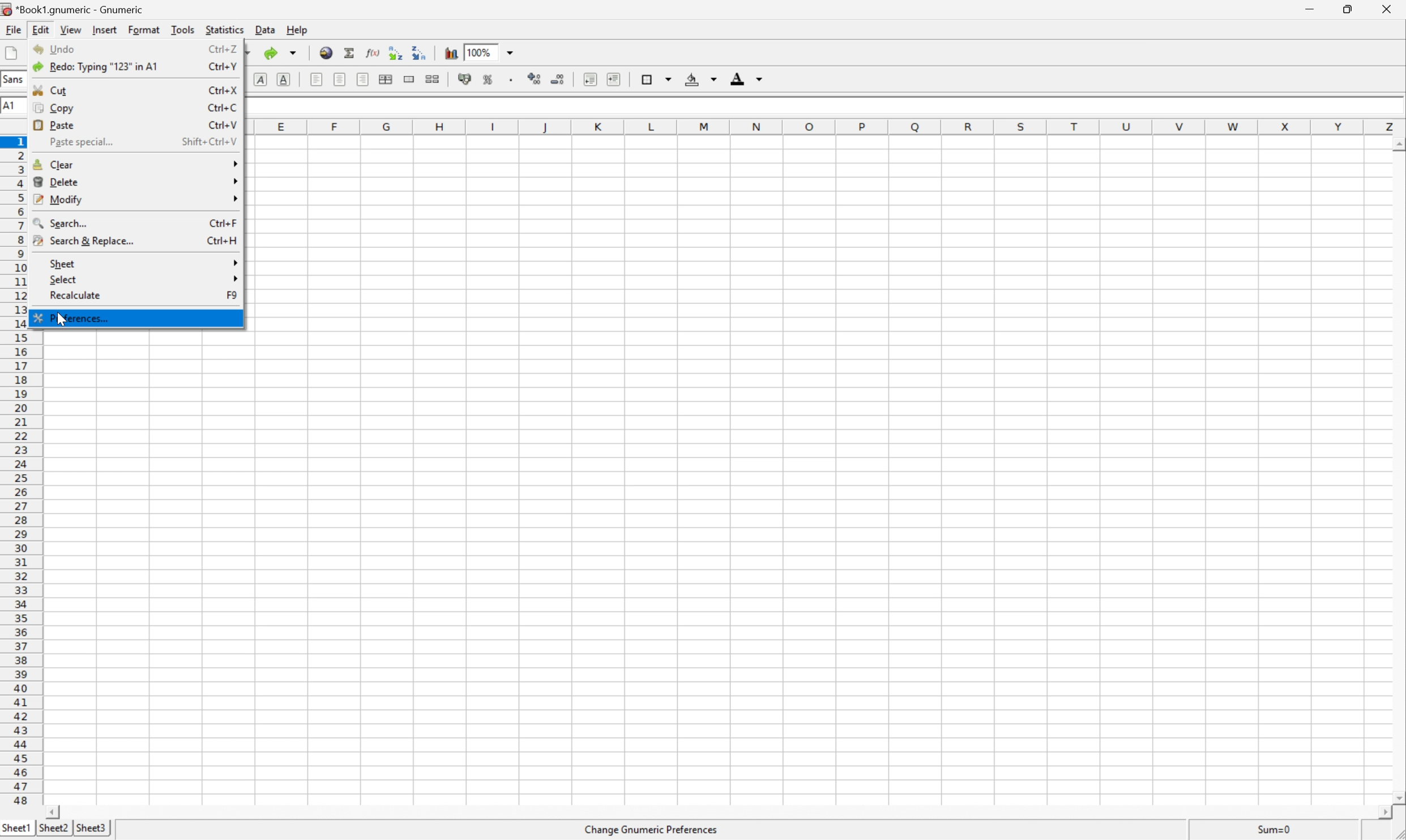 The width and height of the screenshot is (1406, 840). Describe the element at coordinates (265, 29) in the screenshot. I see `data` at that location.